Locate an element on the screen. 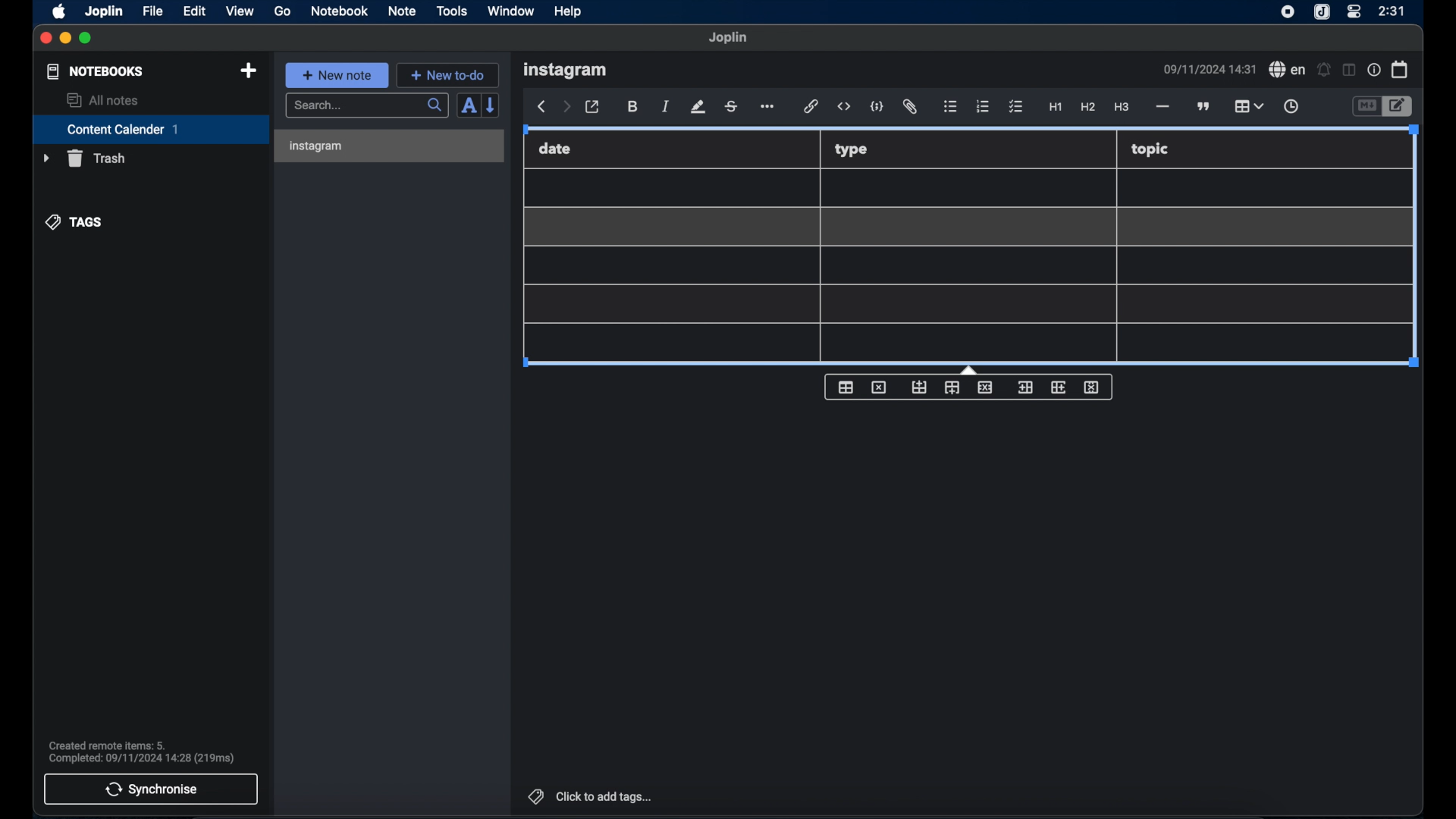 This screenshot has height=819, width=1456. new notebook is located at coordinates (249, 71).